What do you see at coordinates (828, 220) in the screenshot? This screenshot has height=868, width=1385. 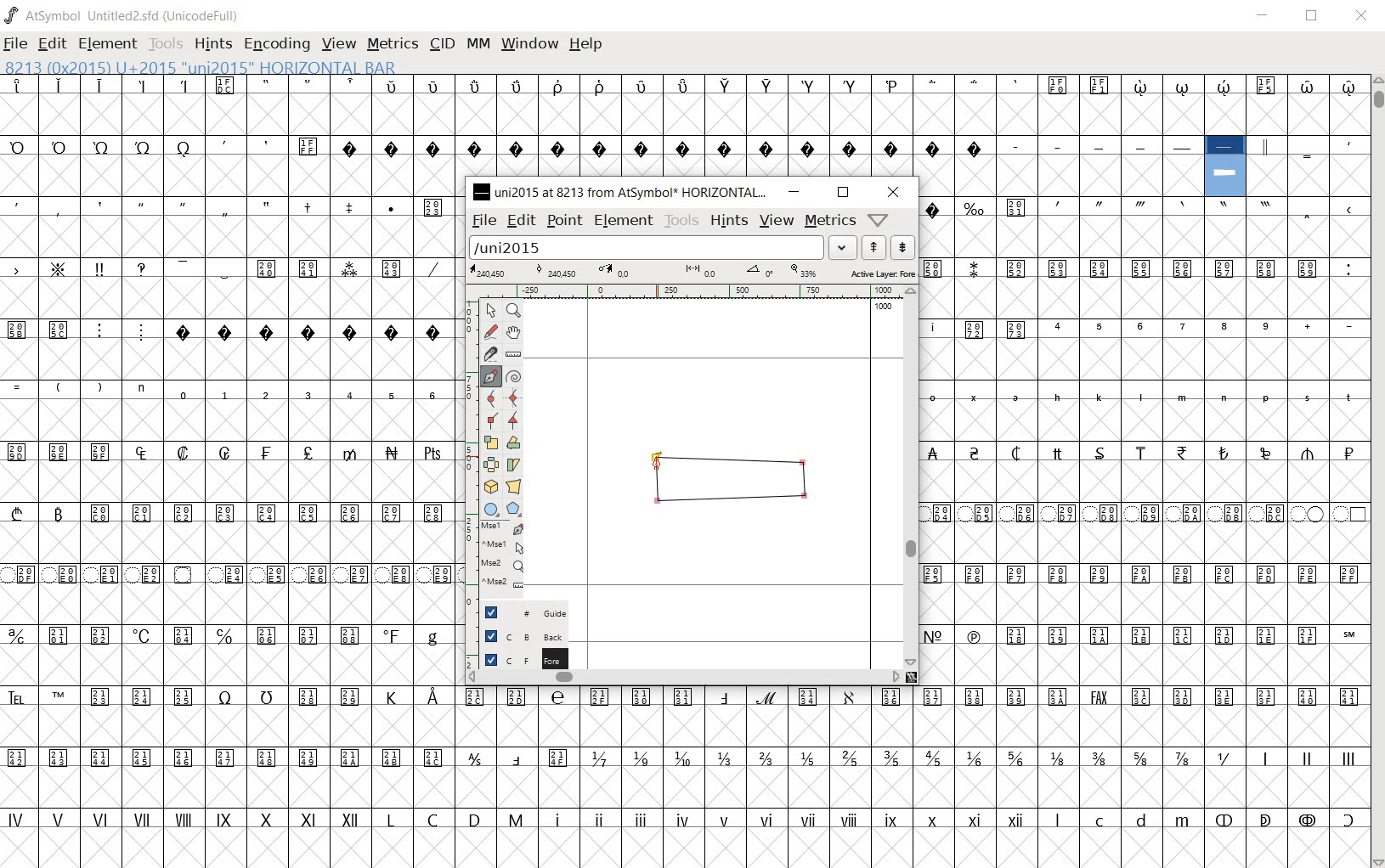 I see `metrics` at bounding box center [828, 220].